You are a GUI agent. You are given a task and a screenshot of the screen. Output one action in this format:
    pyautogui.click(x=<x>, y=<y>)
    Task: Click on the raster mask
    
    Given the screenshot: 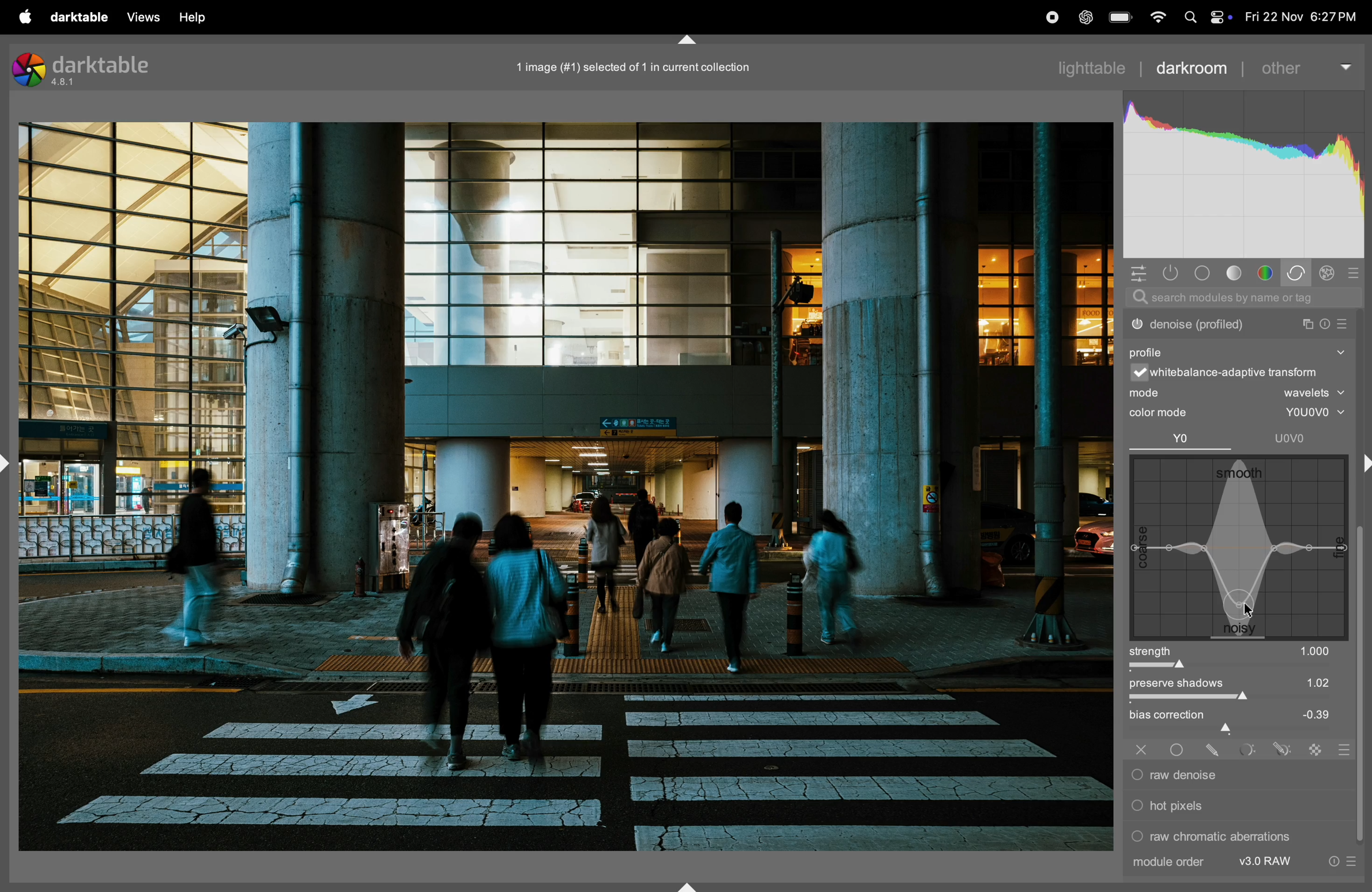 What is the action you would take?
    pyautogui.click(x=1318, y=749)
    